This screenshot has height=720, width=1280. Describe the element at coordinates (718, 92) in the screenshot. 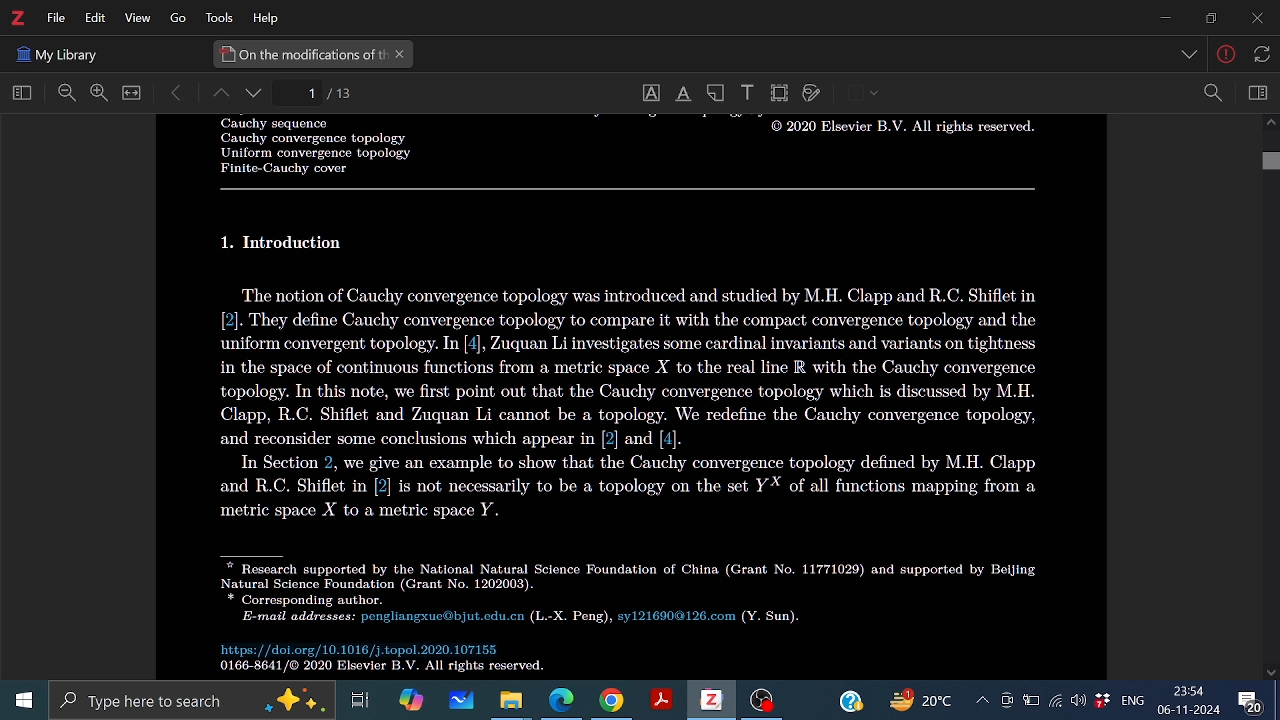

I see `Add note` at that location.